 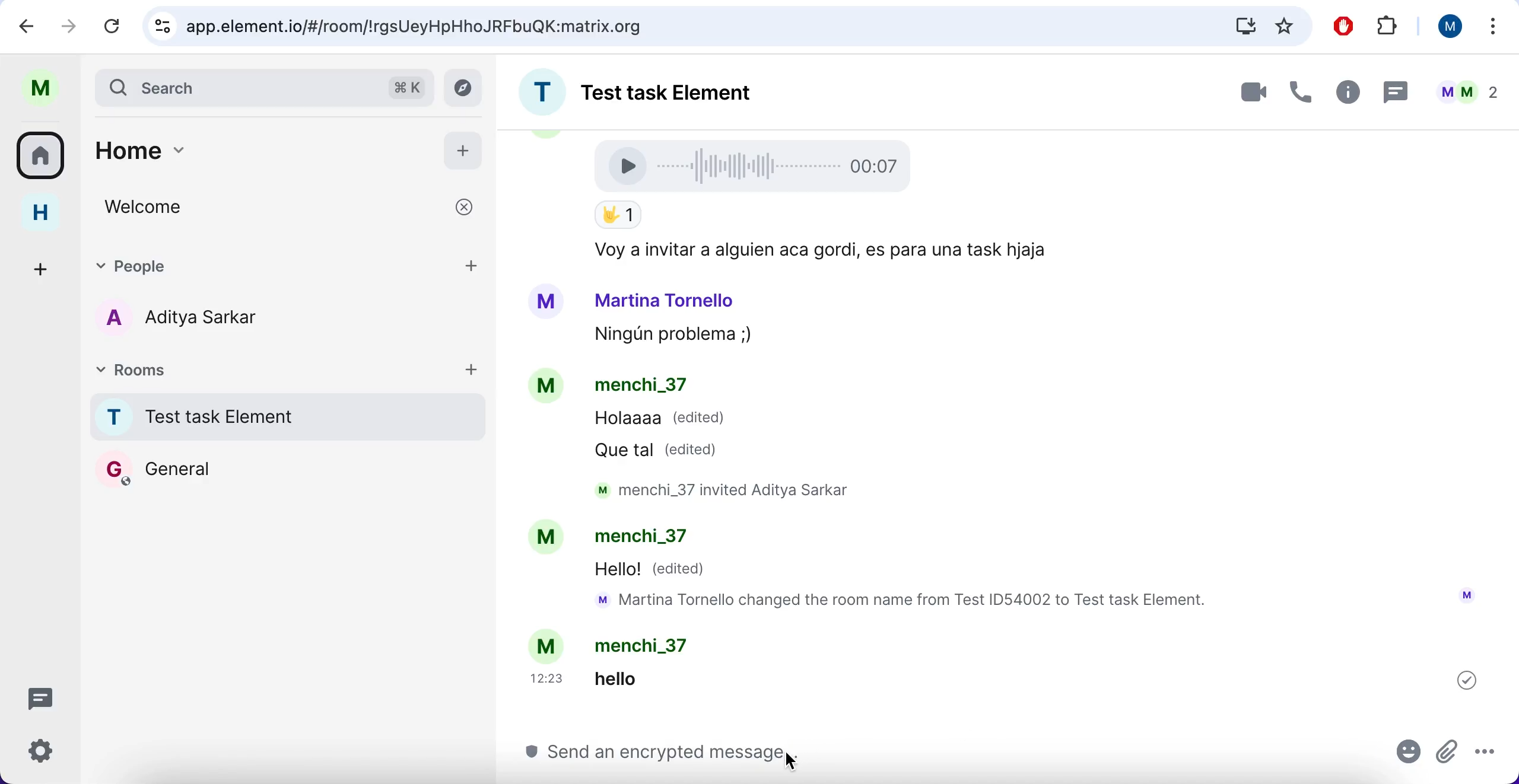 I want to click on General rooms, so click(x=288, y=469).